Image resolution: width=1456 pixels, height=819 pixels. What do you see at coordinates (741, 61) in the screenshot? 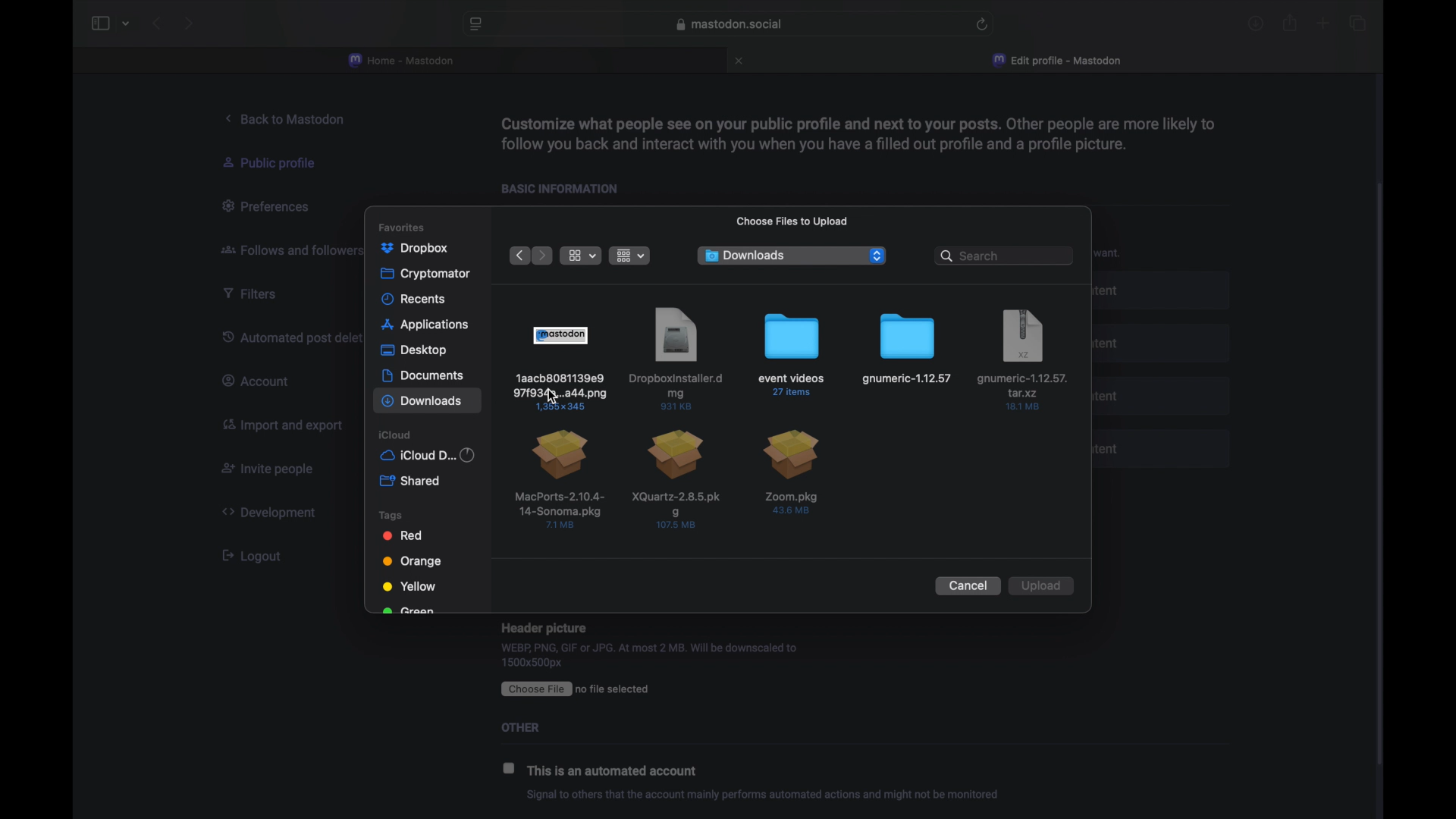
I see `close` at bounding box center [741, 61].